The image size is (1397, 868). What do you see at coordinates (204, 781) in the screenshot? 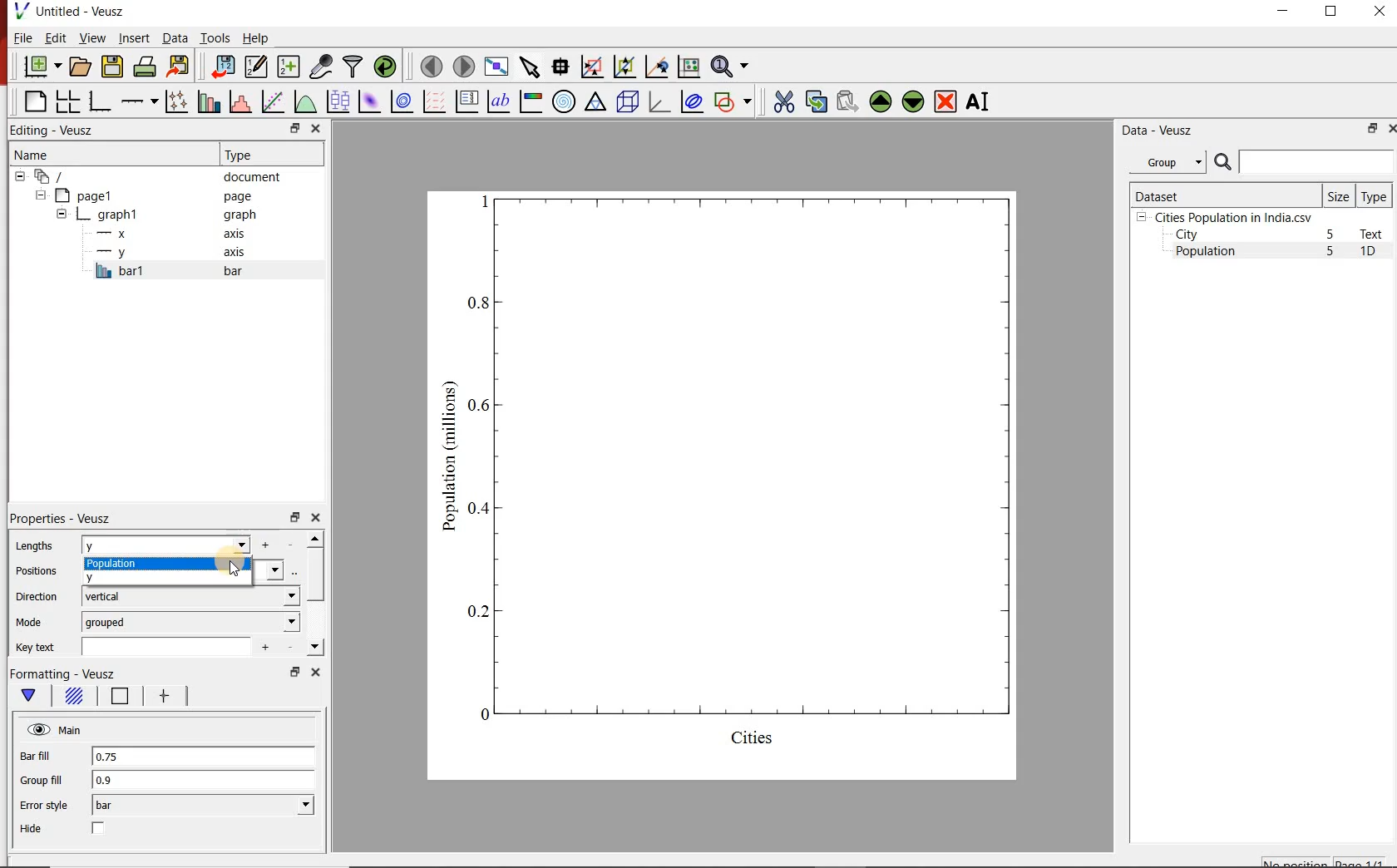
I see `0.9` at bounding box center [204, 781].